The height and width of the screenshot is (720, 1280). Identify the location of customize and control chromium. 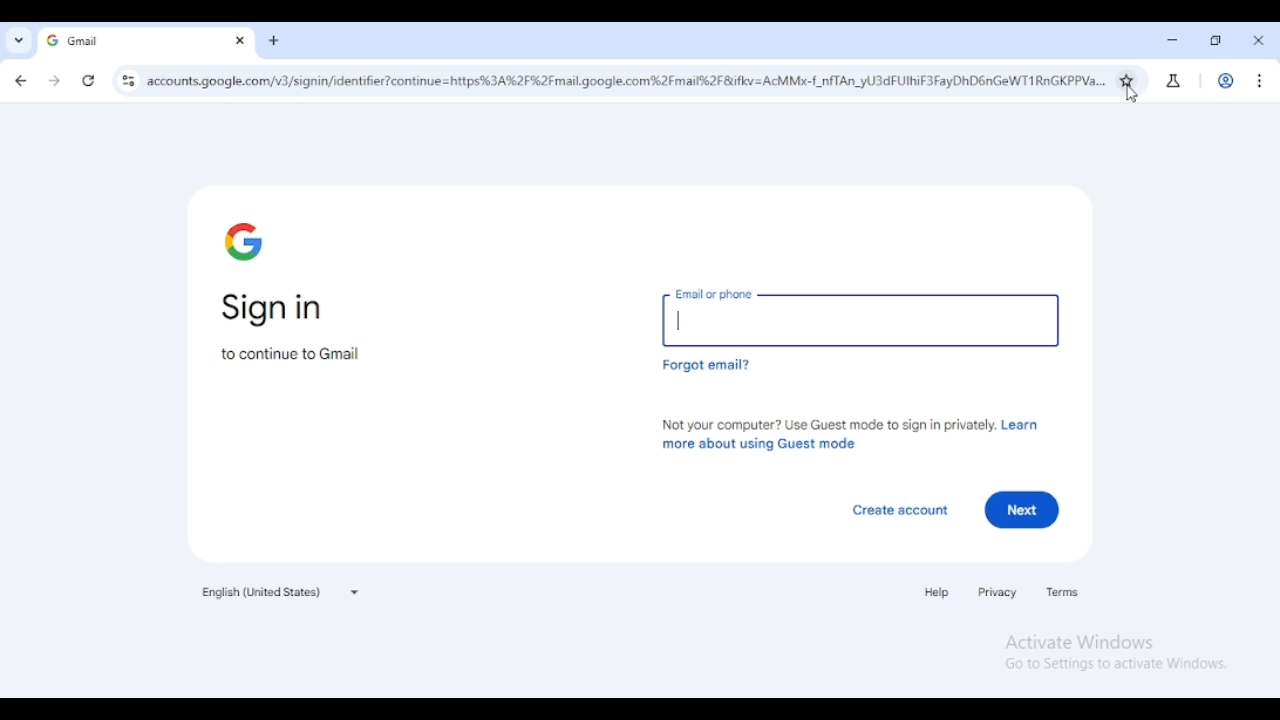
(1259, 80).